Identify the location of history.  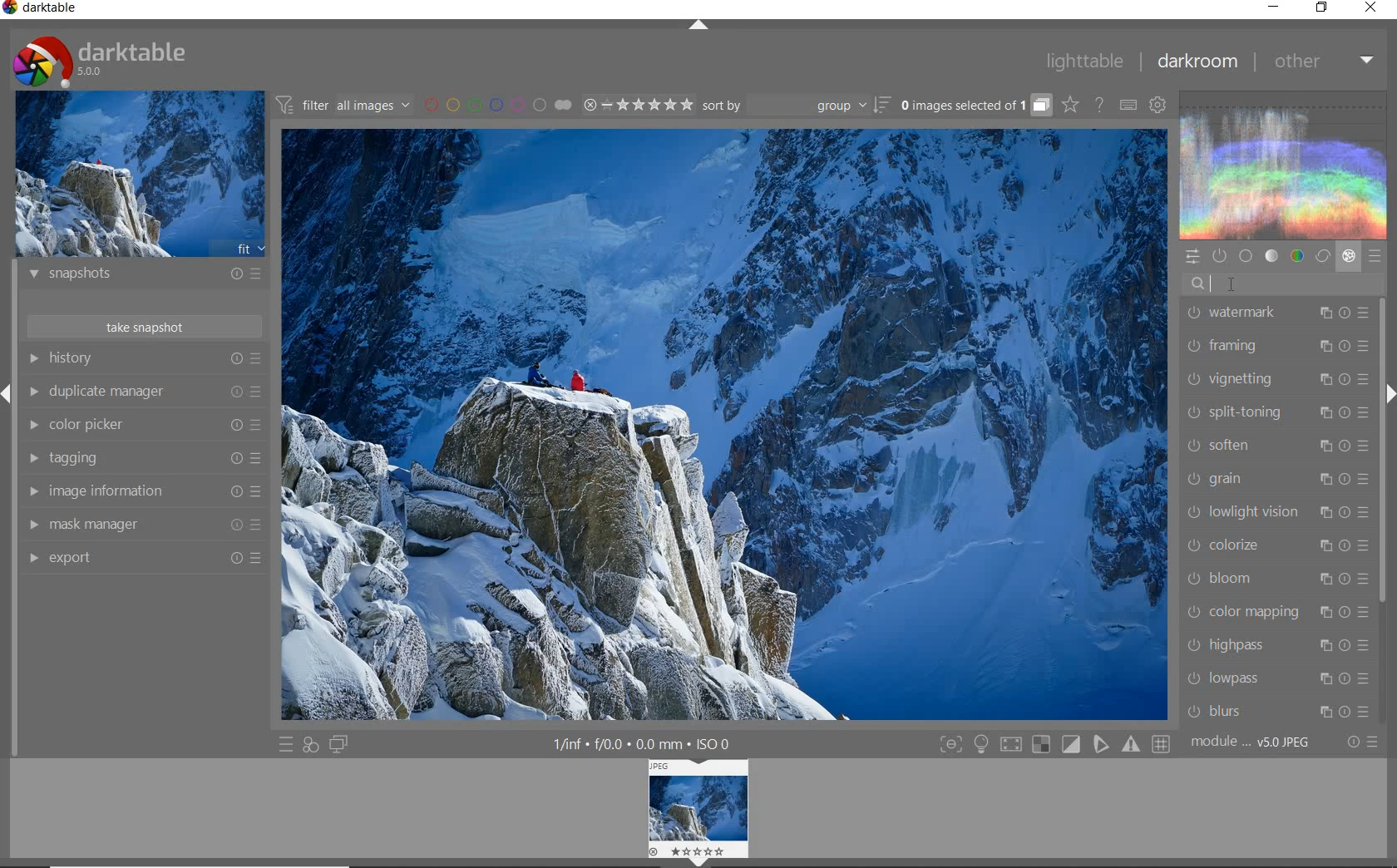
(144, 358).